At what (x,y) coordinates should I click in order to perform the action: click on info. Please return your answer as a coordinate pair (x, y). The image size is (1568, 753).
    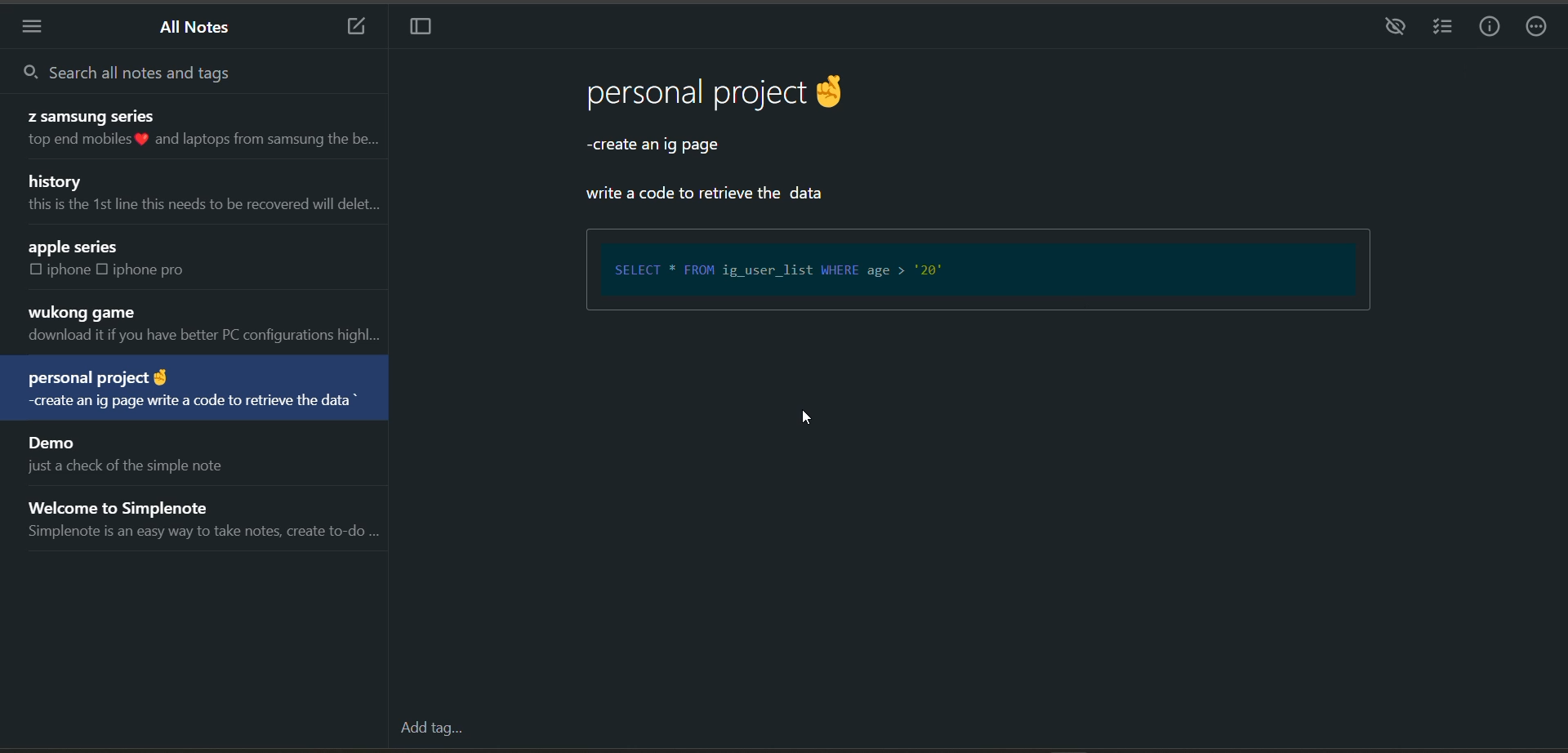
    Looking at the image, I should click on (1490, 27).